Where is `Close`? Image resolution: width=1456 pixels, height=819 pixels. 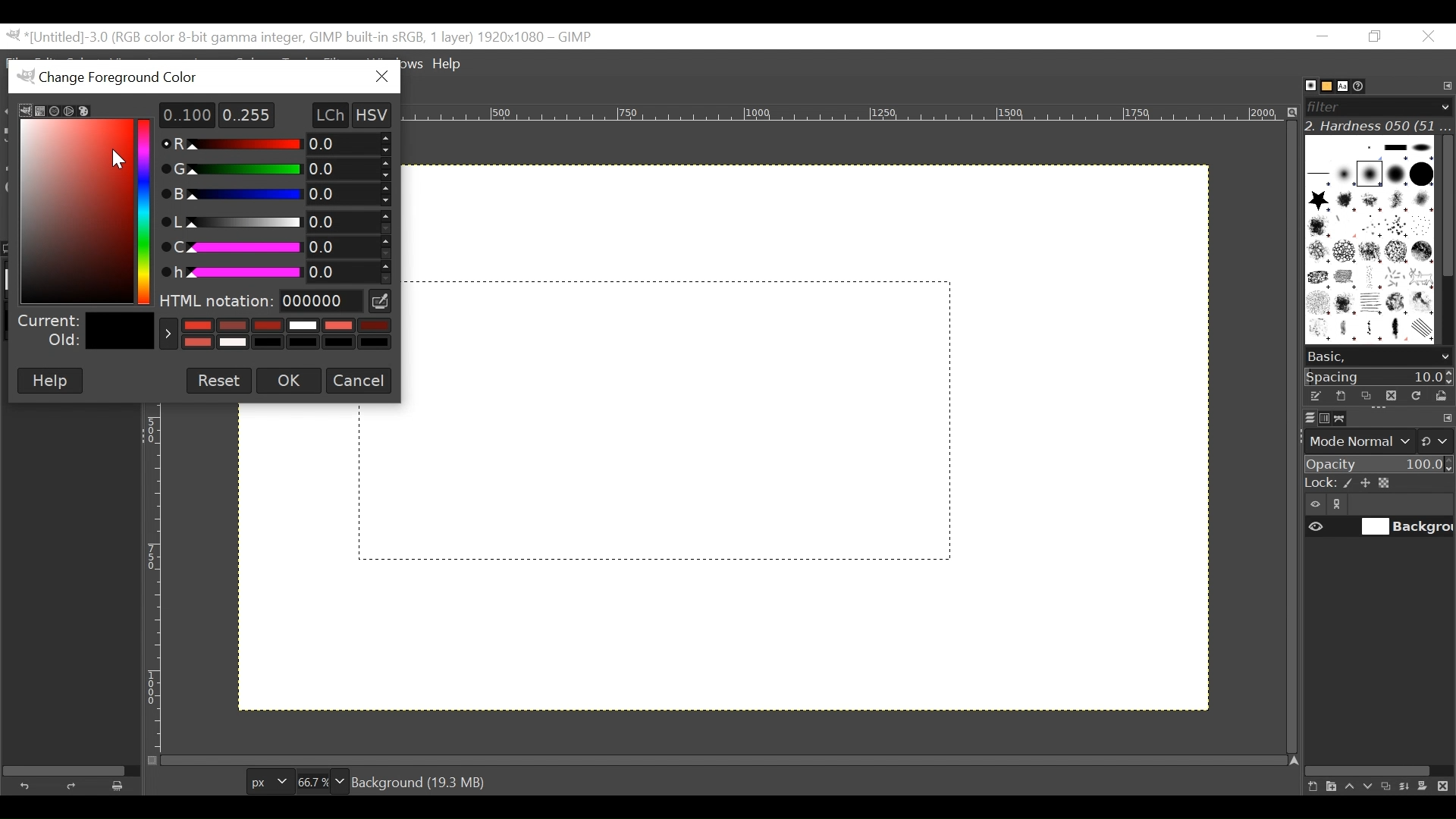
Close is located at coordinates (1427, 37).